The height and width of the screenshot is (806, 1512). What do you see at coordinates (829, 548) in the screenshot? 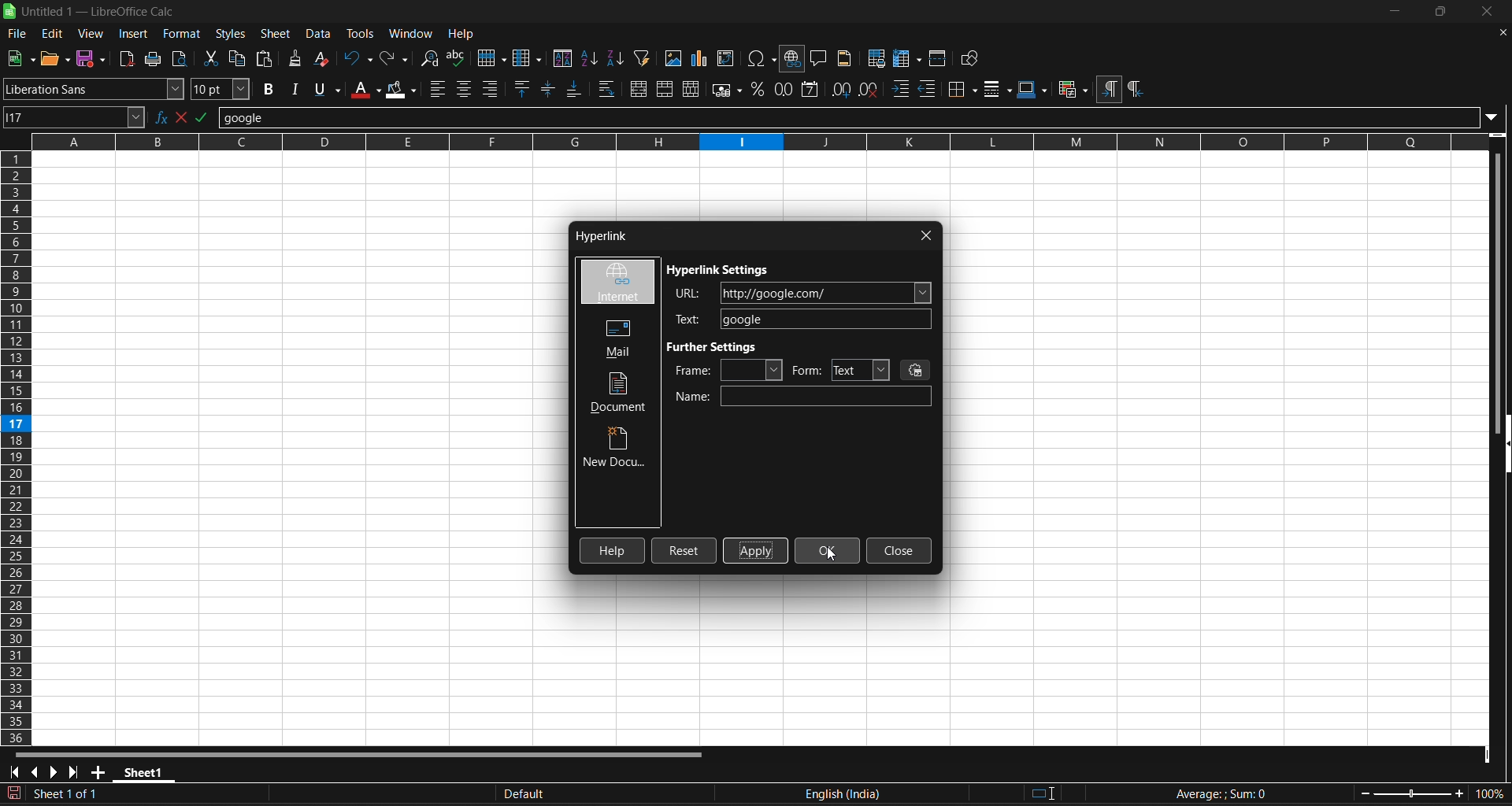
I see `click ok` at bounding box center [829, 548].